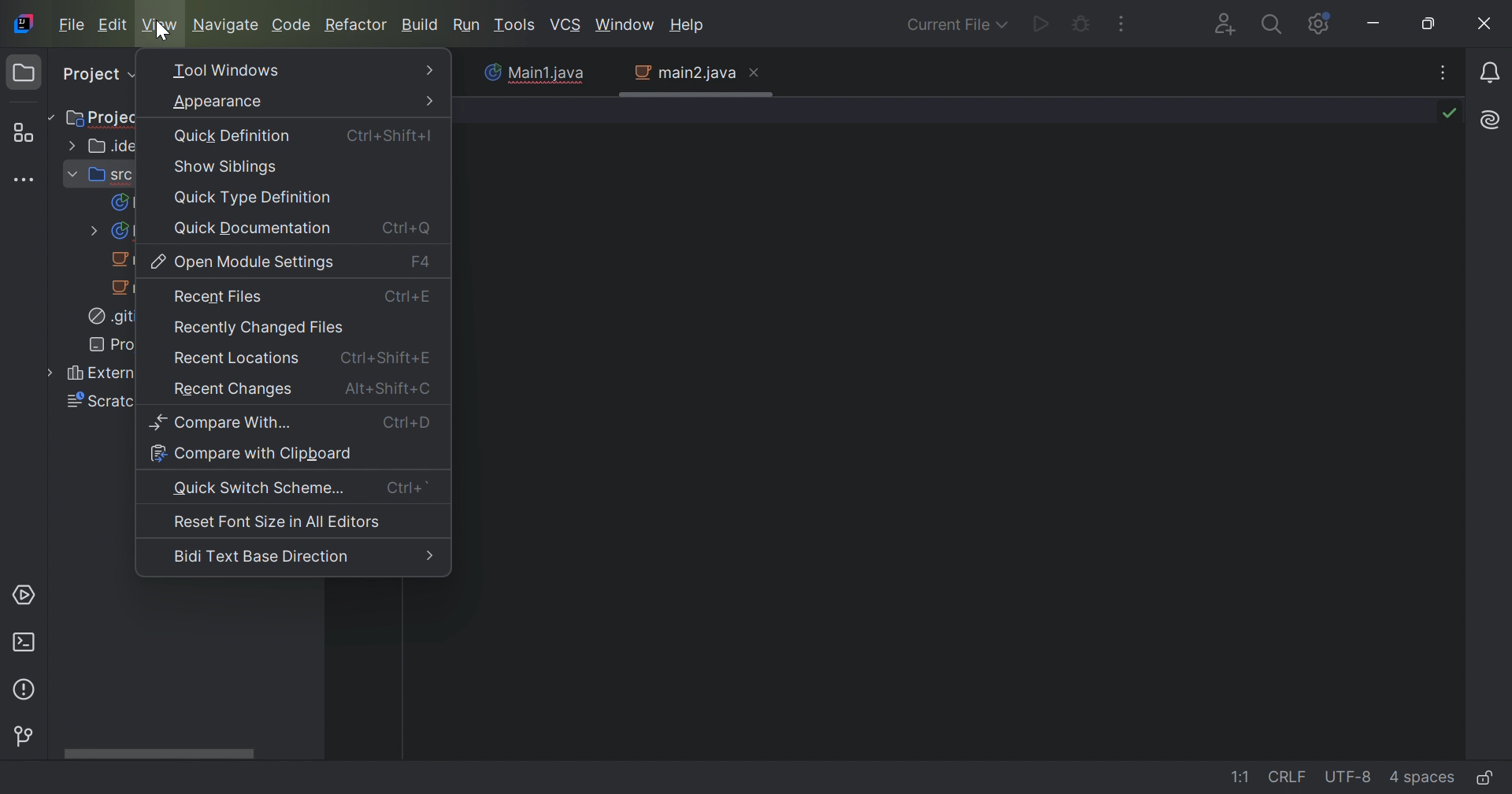 The height and width of the screenshot is (794, 1512). I want to click on Compare with clipboard, so click(250, 454).